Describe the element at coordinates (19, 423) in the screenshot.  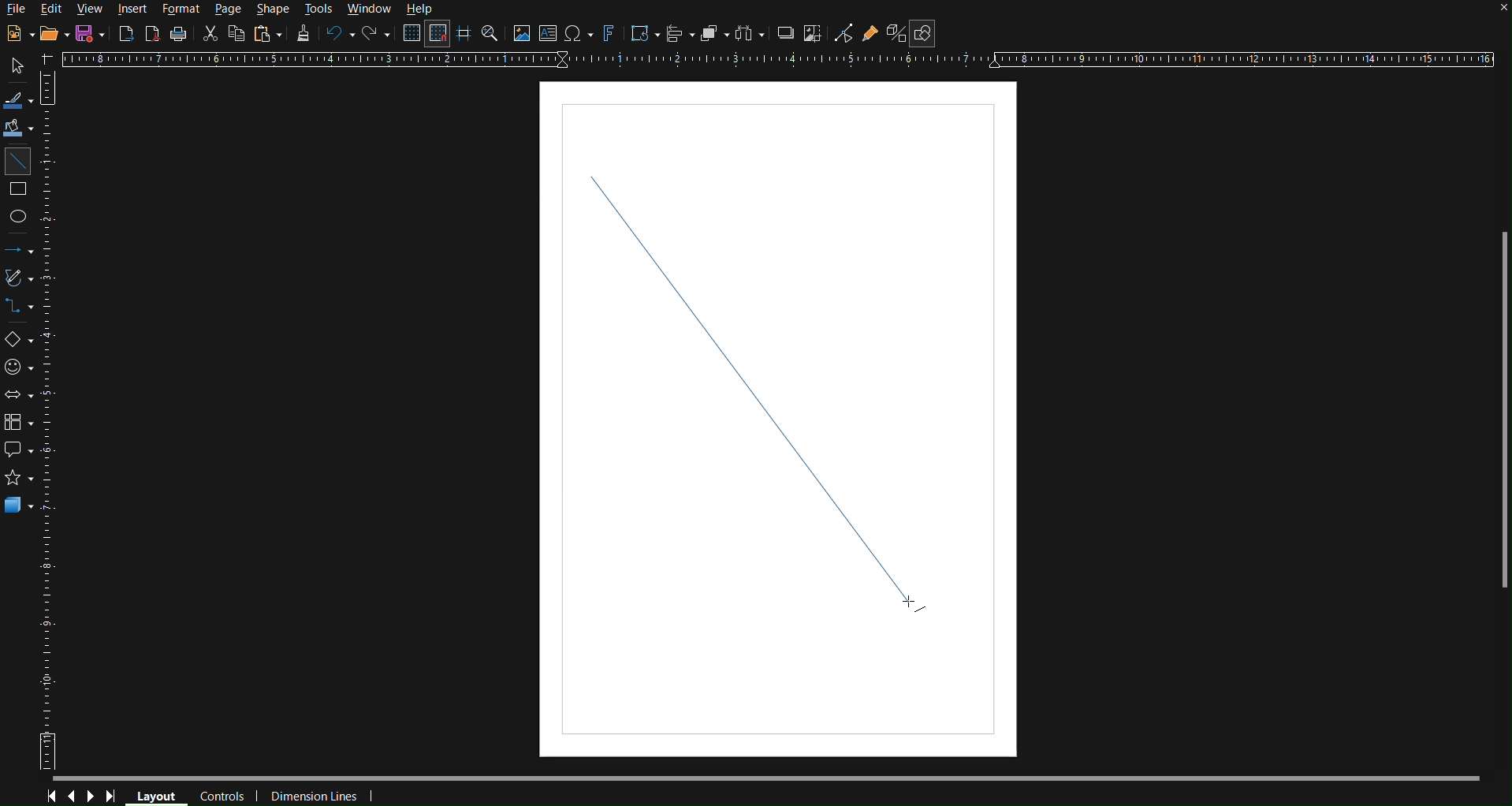
I see `Flowcharts` at that location.